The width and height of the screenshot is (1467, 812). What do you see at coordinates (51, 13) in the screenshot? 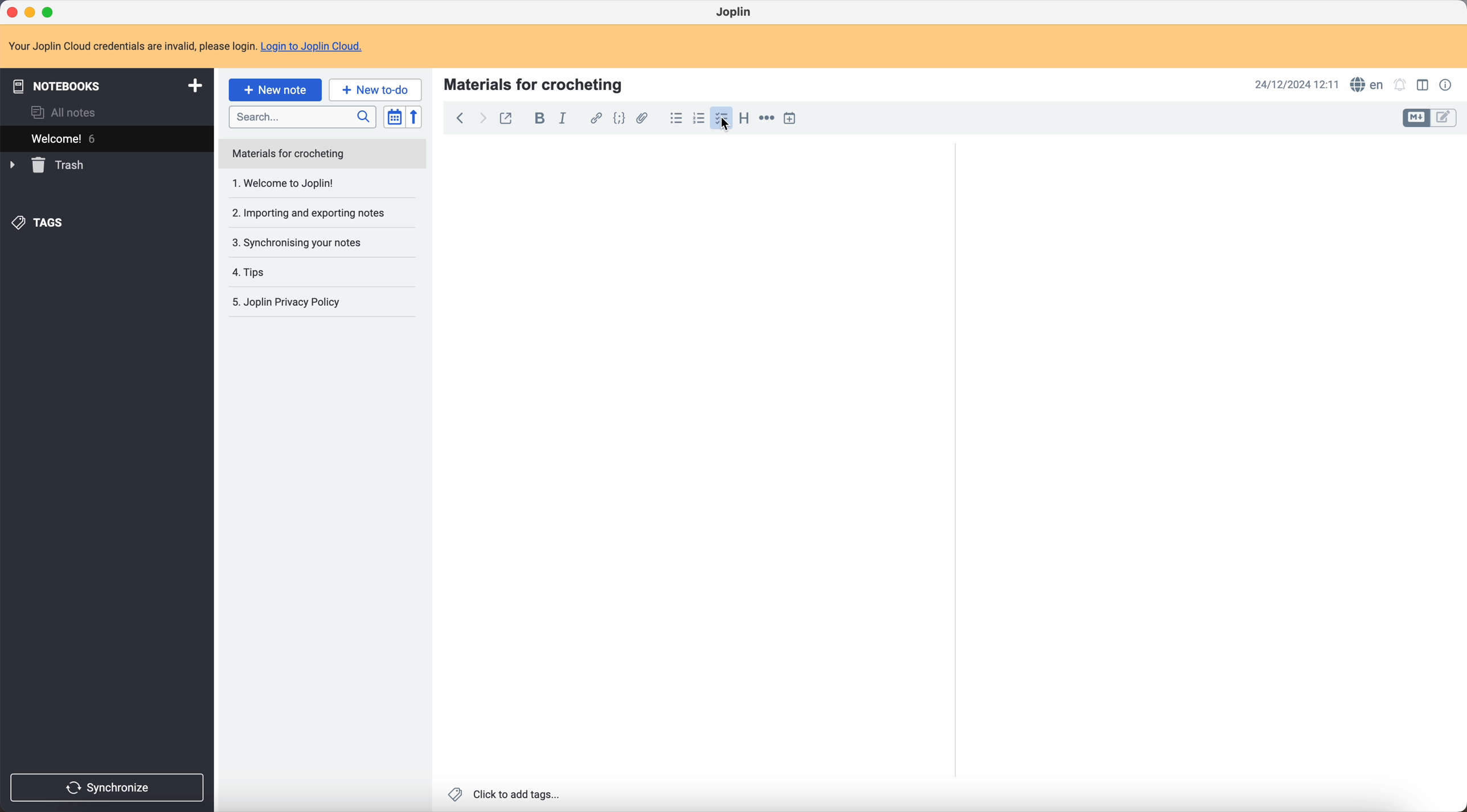
I see `maximize` at bounding box center [51, 13].